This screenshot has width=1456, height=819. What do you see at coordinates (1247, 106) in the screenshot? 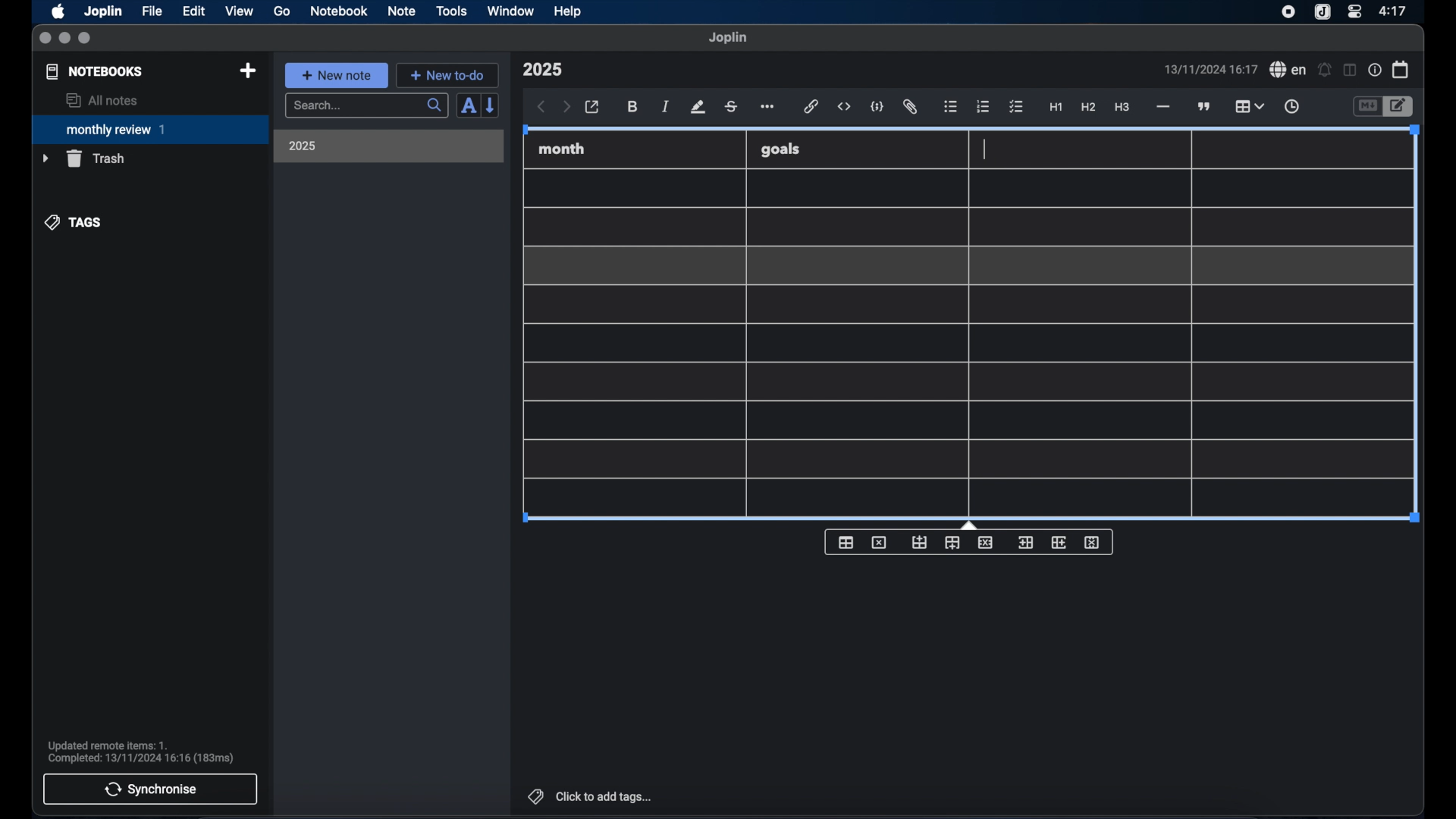
I see `table highlighted` at bounding box center [1247, 106].